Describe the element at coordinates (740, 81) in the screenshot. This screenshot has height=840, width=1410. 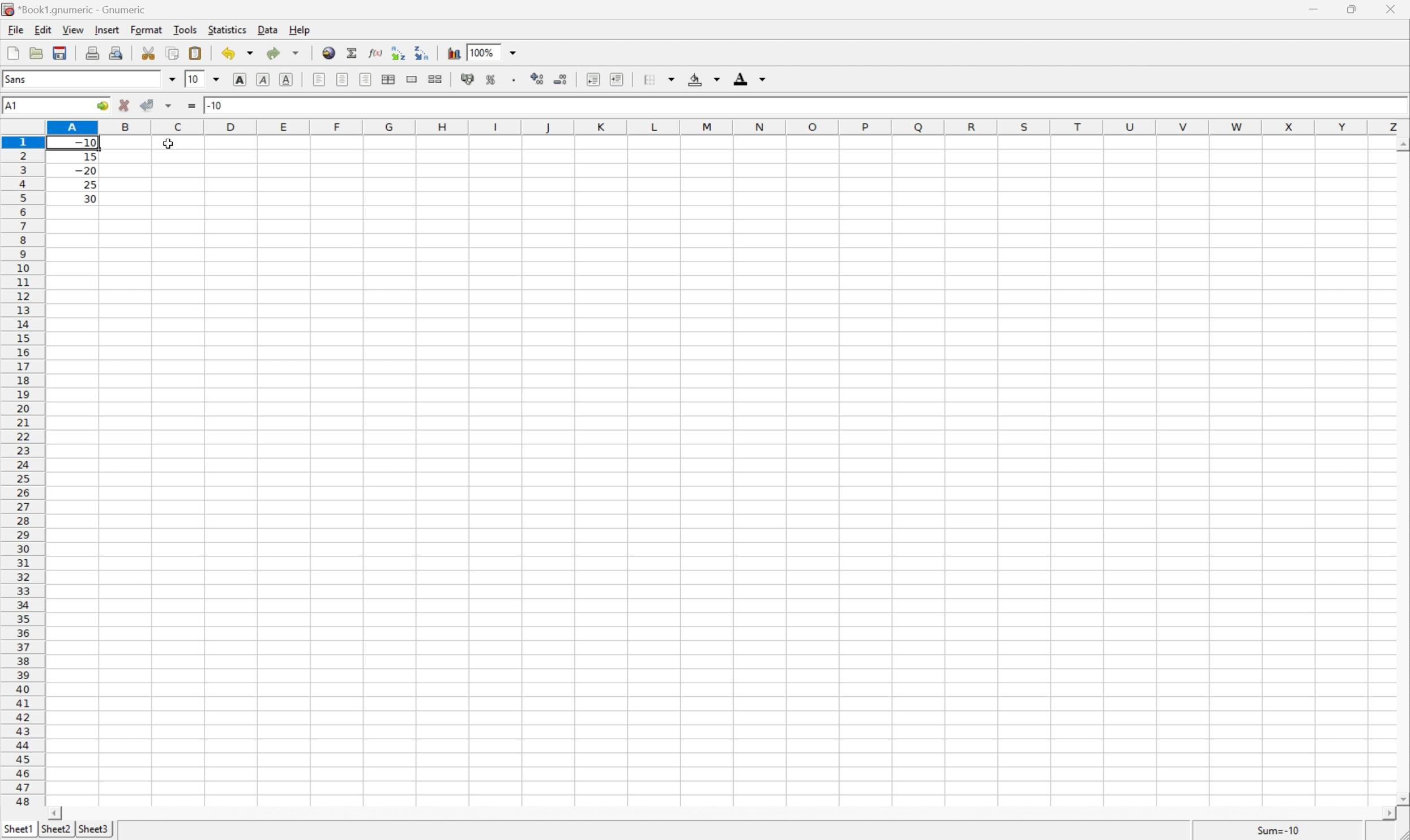
I see `Foreground` at that location.